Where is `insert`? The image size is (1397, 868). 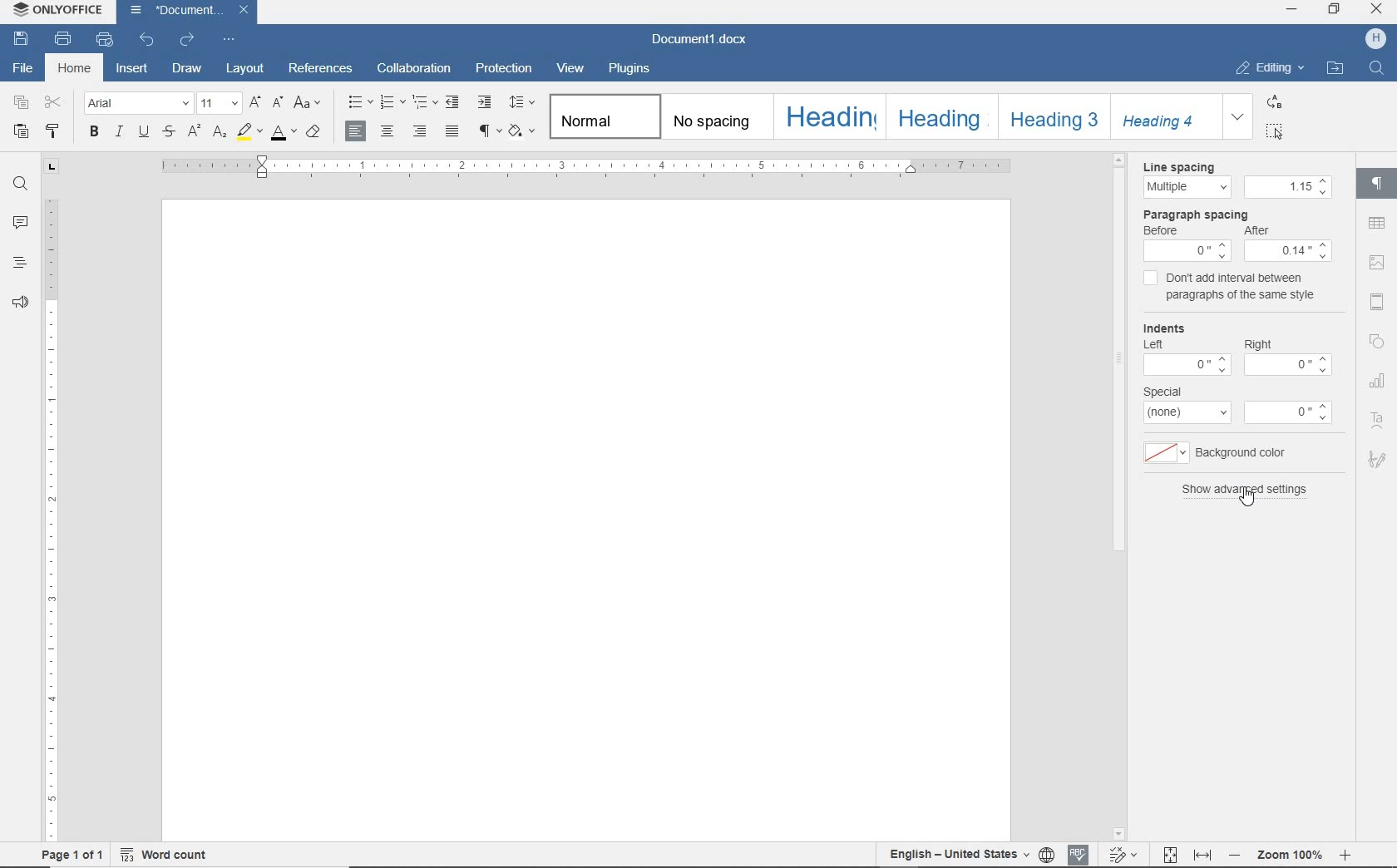
insert is located at coordinates (133, 69).